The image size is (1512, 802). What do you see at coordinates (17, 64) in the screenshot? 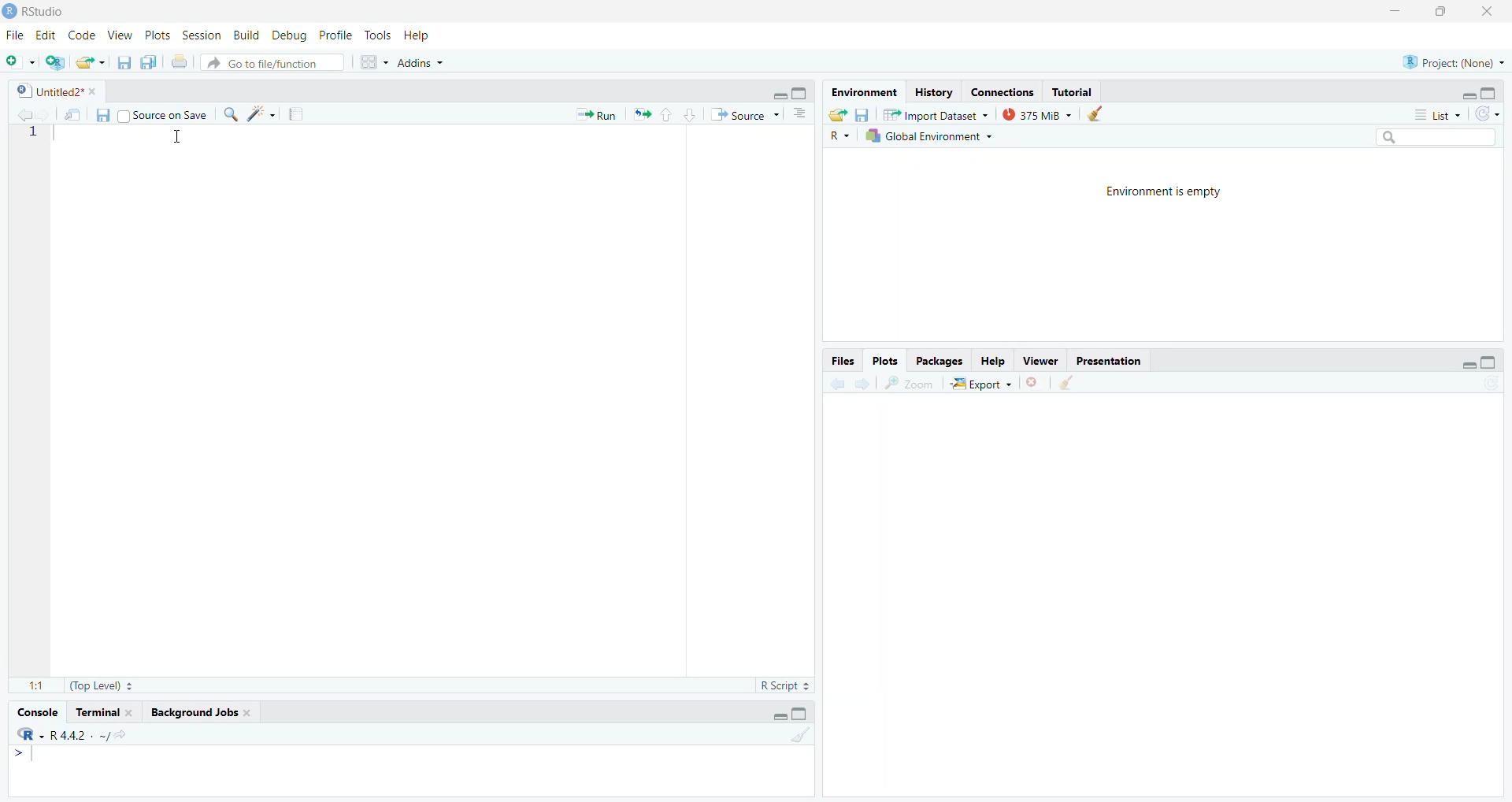
I see `new file` at bounding box center [17, 64].